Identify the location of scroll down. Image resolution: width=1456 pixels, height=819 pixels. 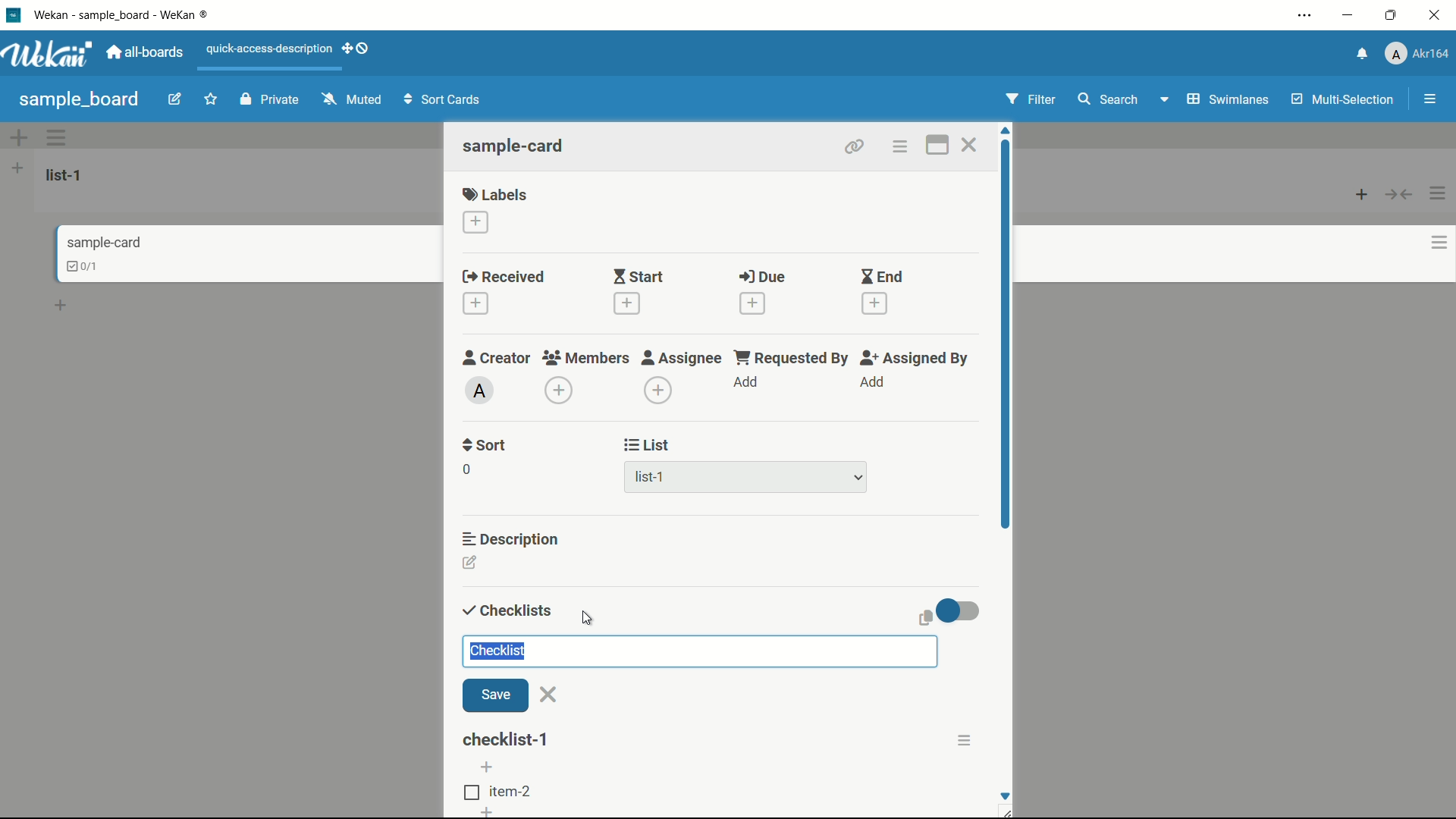
(1004, 795).